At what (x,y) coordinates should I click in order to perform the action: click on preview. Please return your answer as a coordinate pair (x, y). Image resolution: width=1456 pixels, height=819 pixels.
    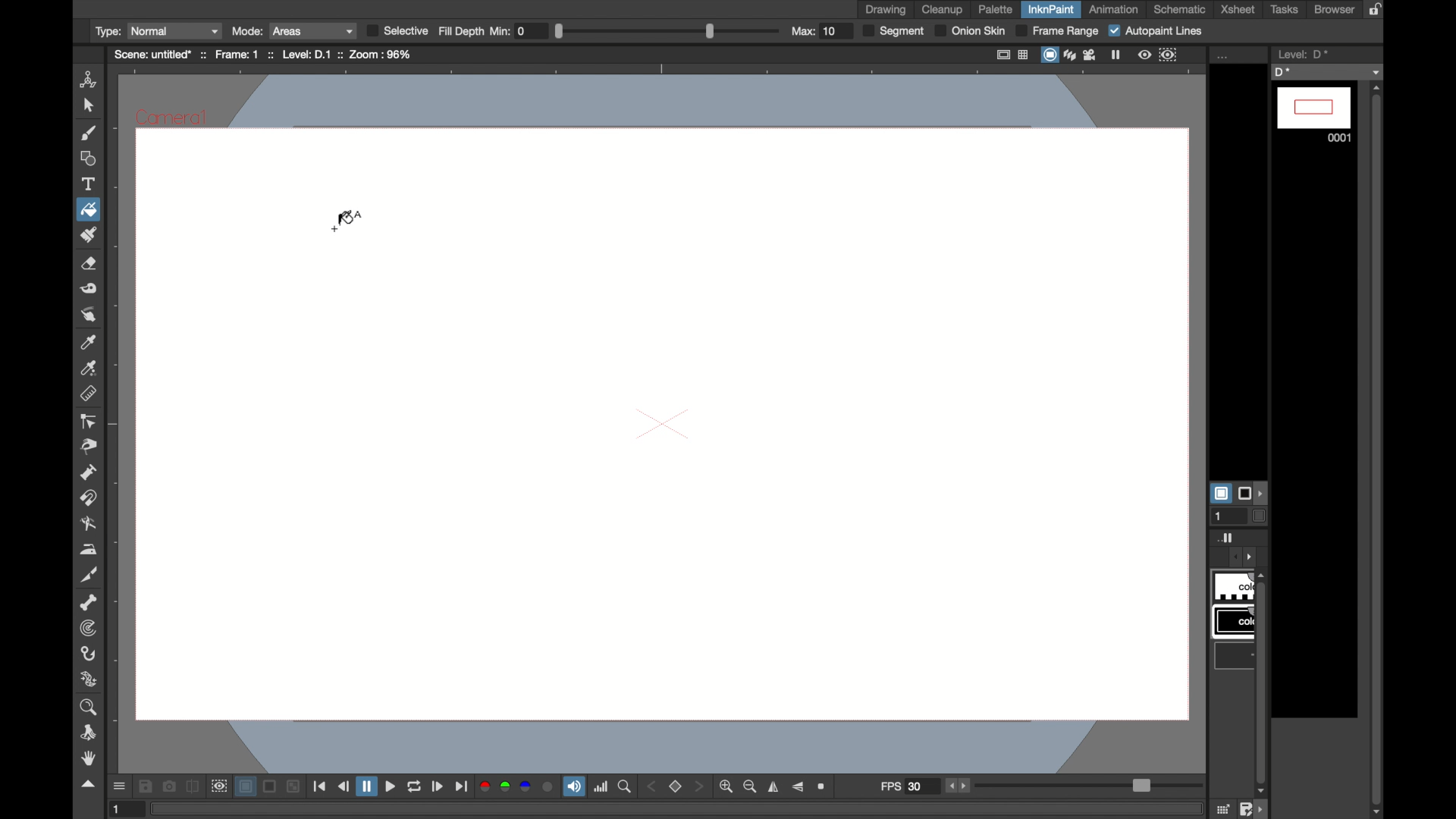
    Looking at the image, I should click on (219, 787).